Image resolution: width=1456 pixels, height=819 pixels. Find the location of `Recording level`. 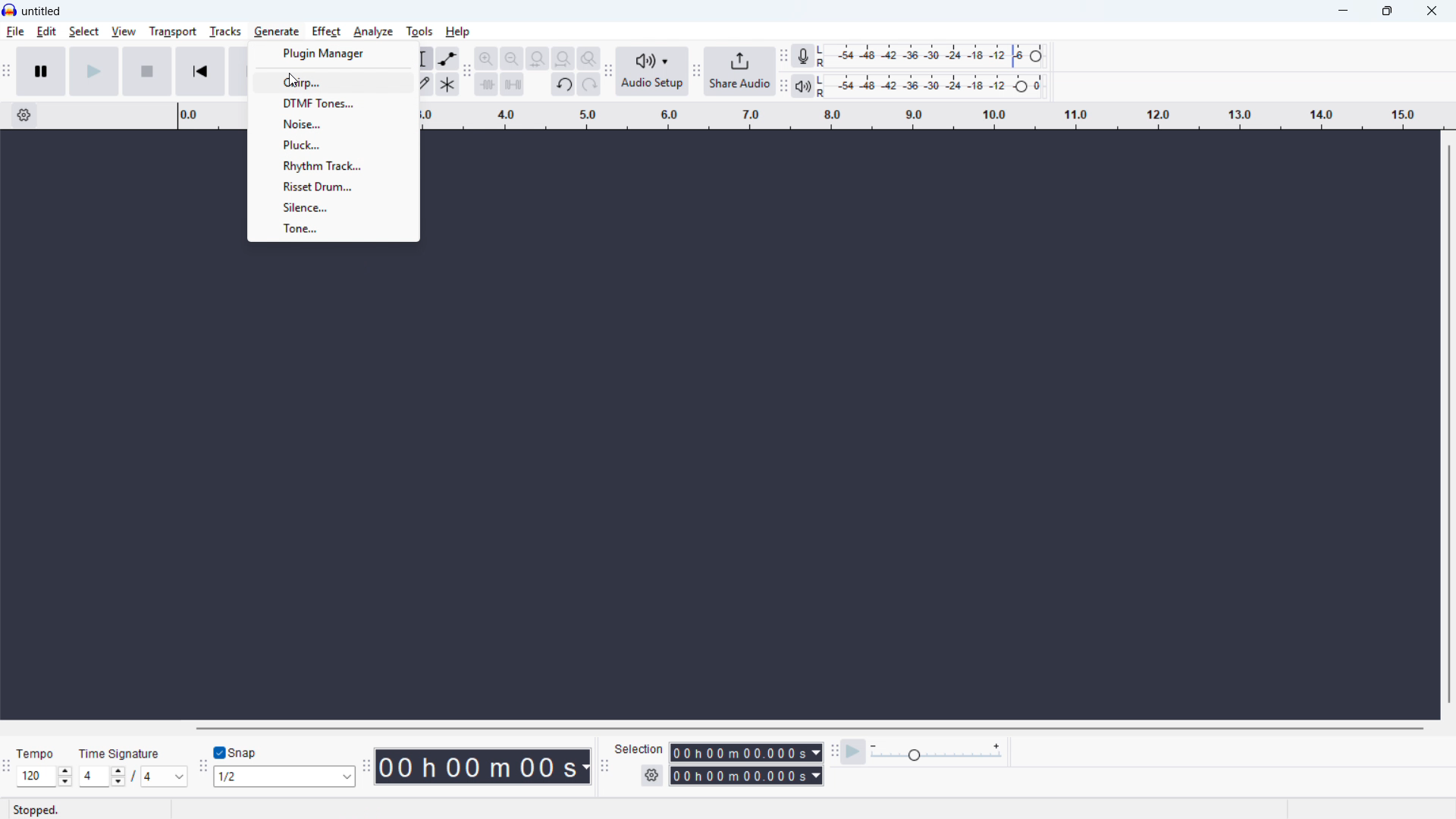

Recording level is located at coordinates (935, 56).